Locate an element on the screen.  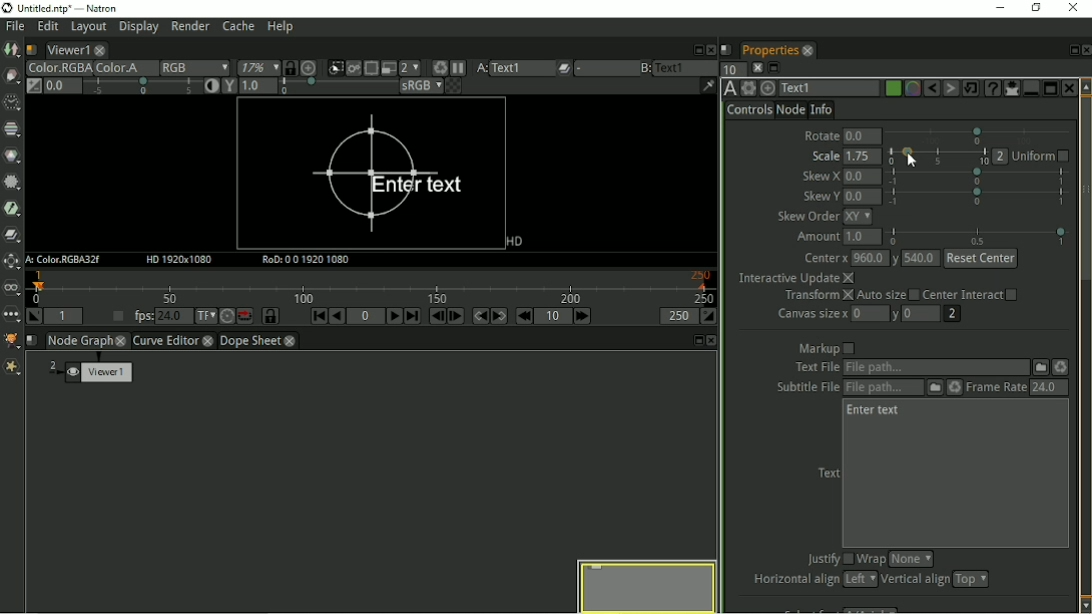
First frame is located at coordinates (317, 316).